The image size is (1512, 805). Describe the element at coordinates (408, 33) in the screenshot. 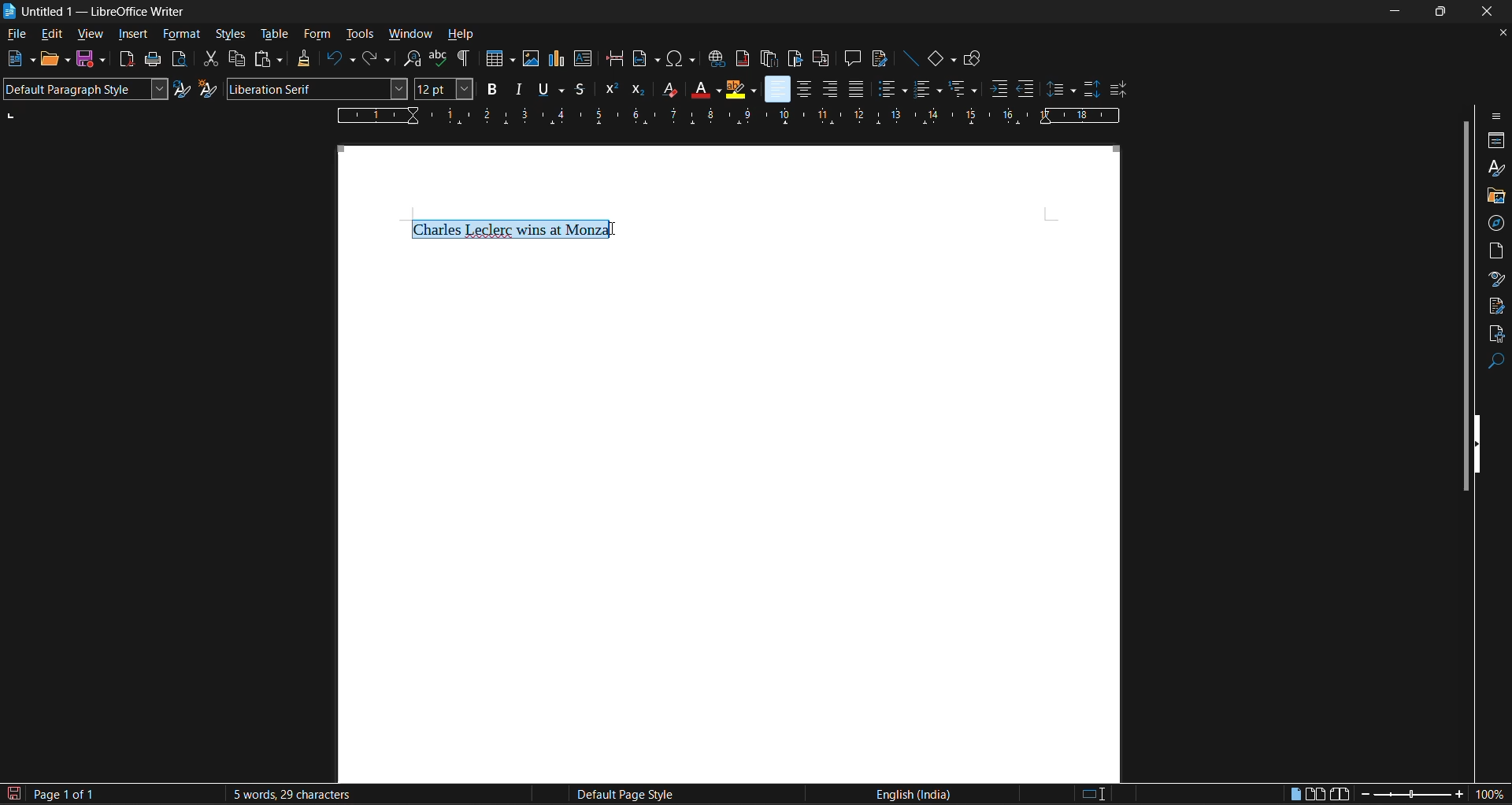

I see `window` at that location.